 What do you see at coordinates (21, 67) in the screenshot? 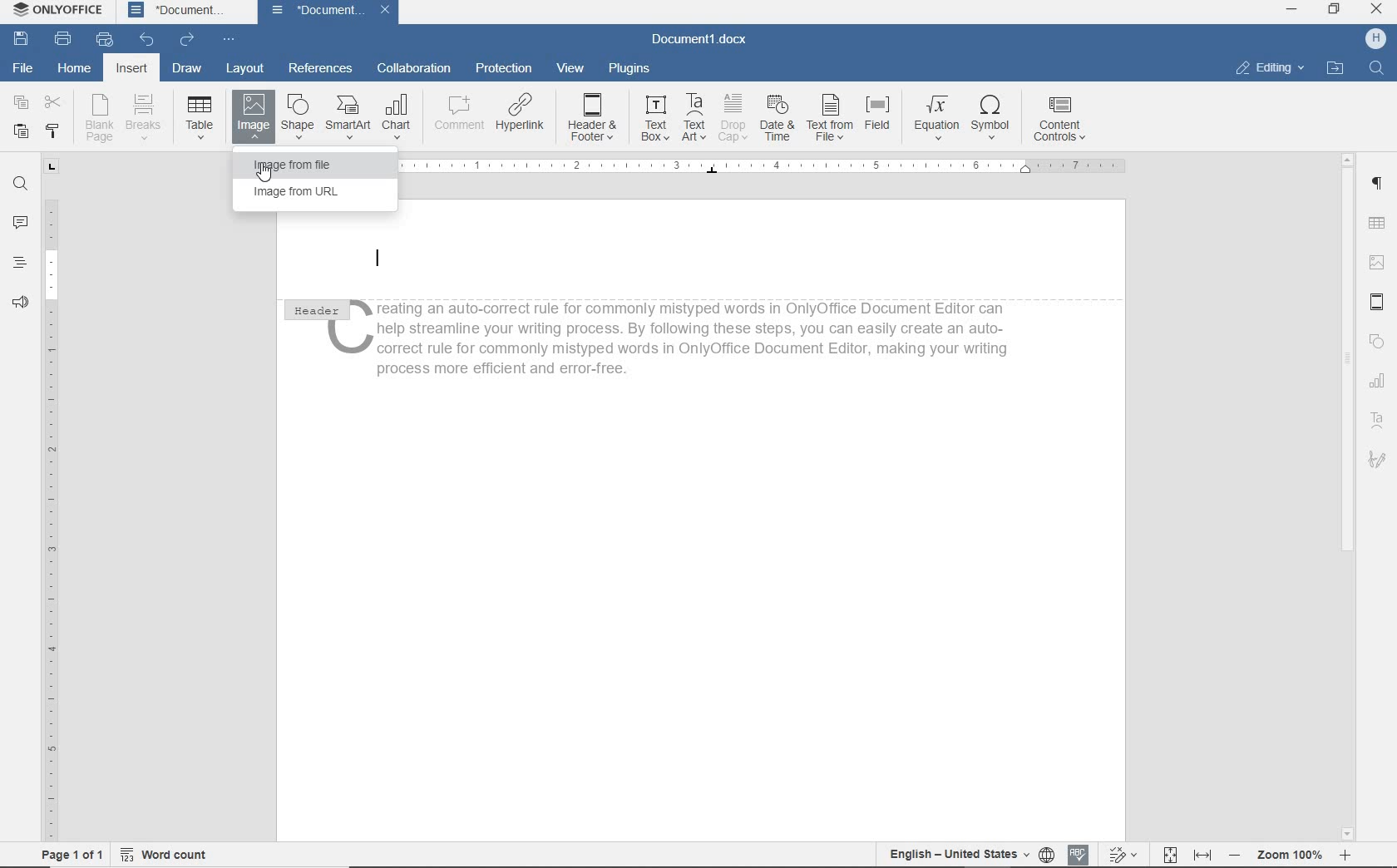
I see `FILE` at bounding box center [21, 67].